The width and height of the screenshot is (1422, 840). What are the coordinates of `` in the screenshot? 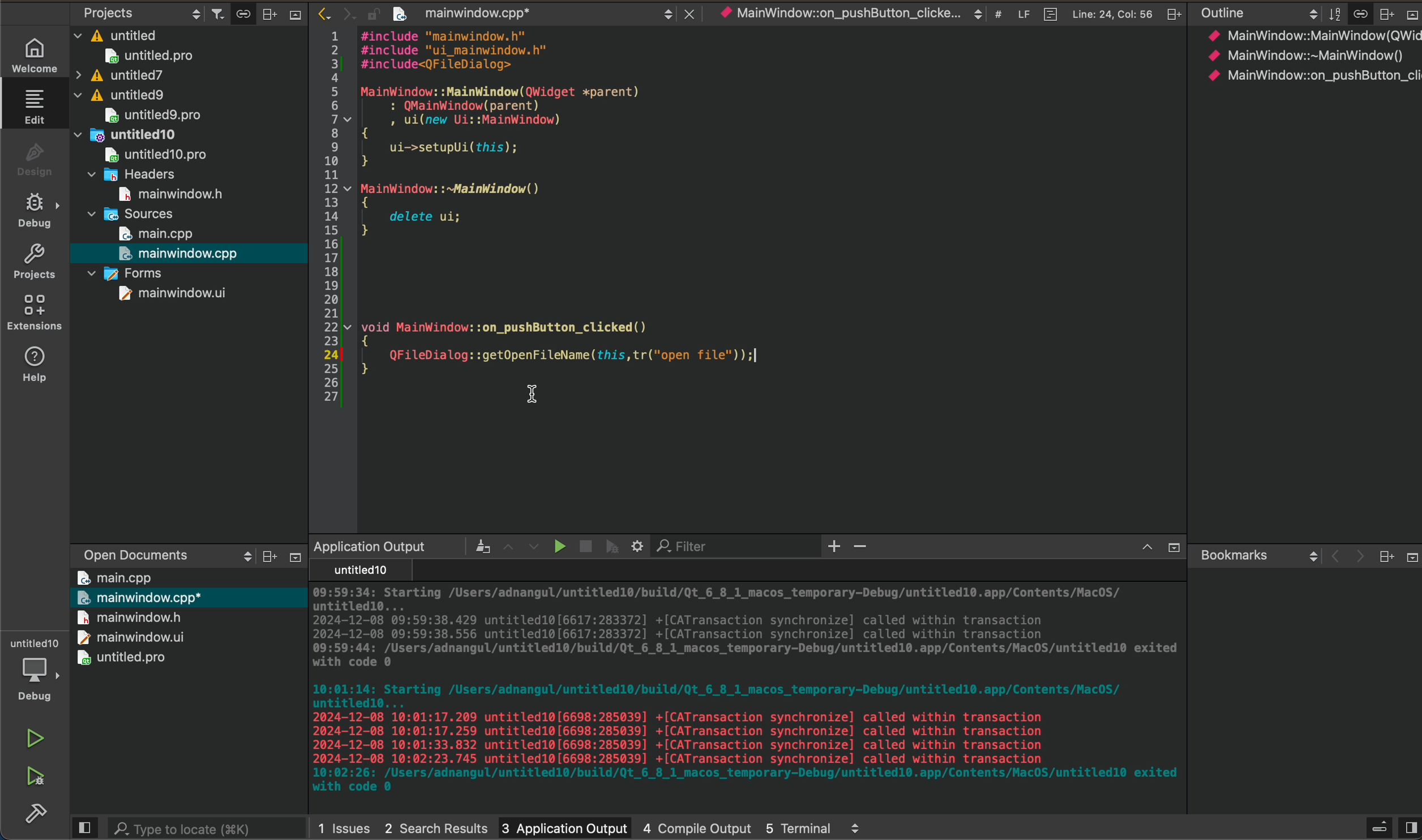 It's located at (1410, 15).